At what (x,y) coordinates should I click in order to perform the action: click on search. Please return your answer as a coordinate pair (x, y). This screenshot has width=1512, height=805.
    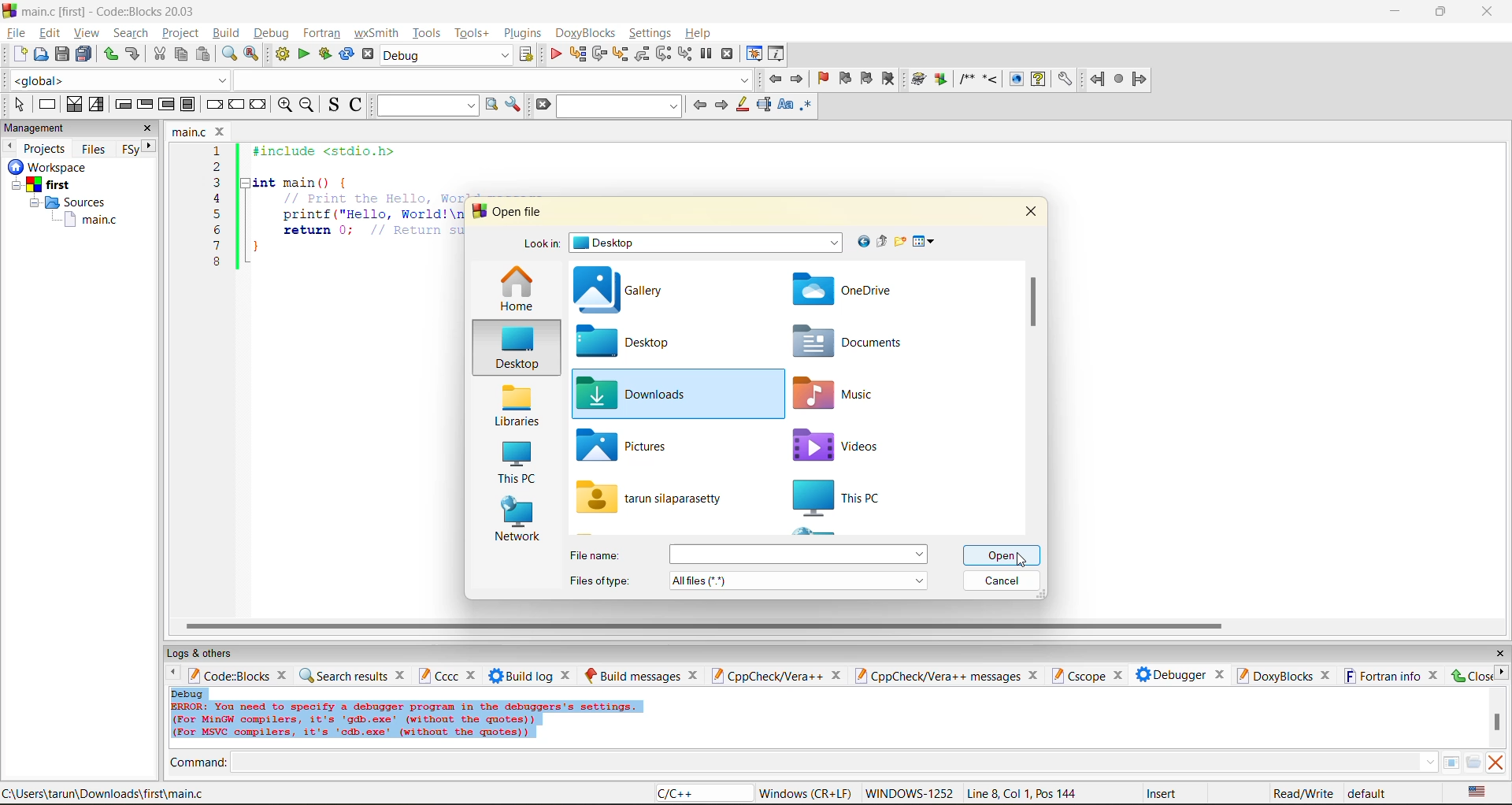
    Looking at the image, I should click on (621, 106).